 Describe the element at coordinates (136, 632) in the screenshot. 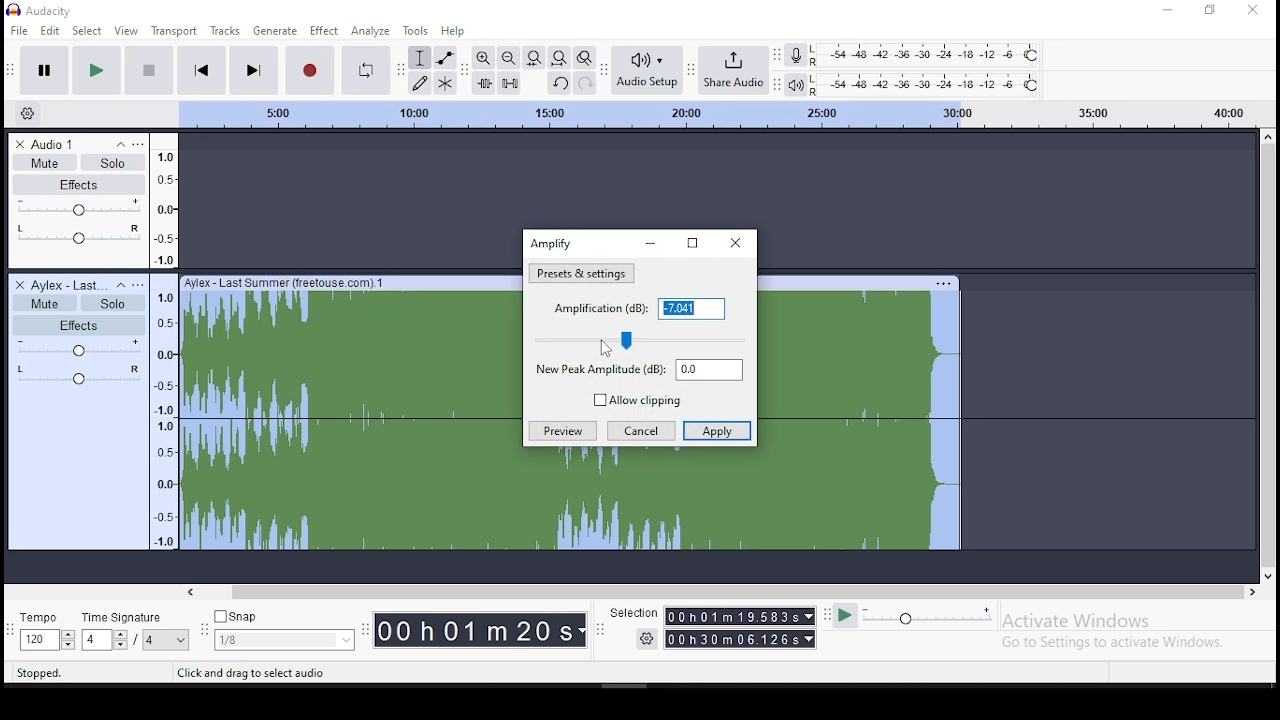

I see `rime signature` at that location.